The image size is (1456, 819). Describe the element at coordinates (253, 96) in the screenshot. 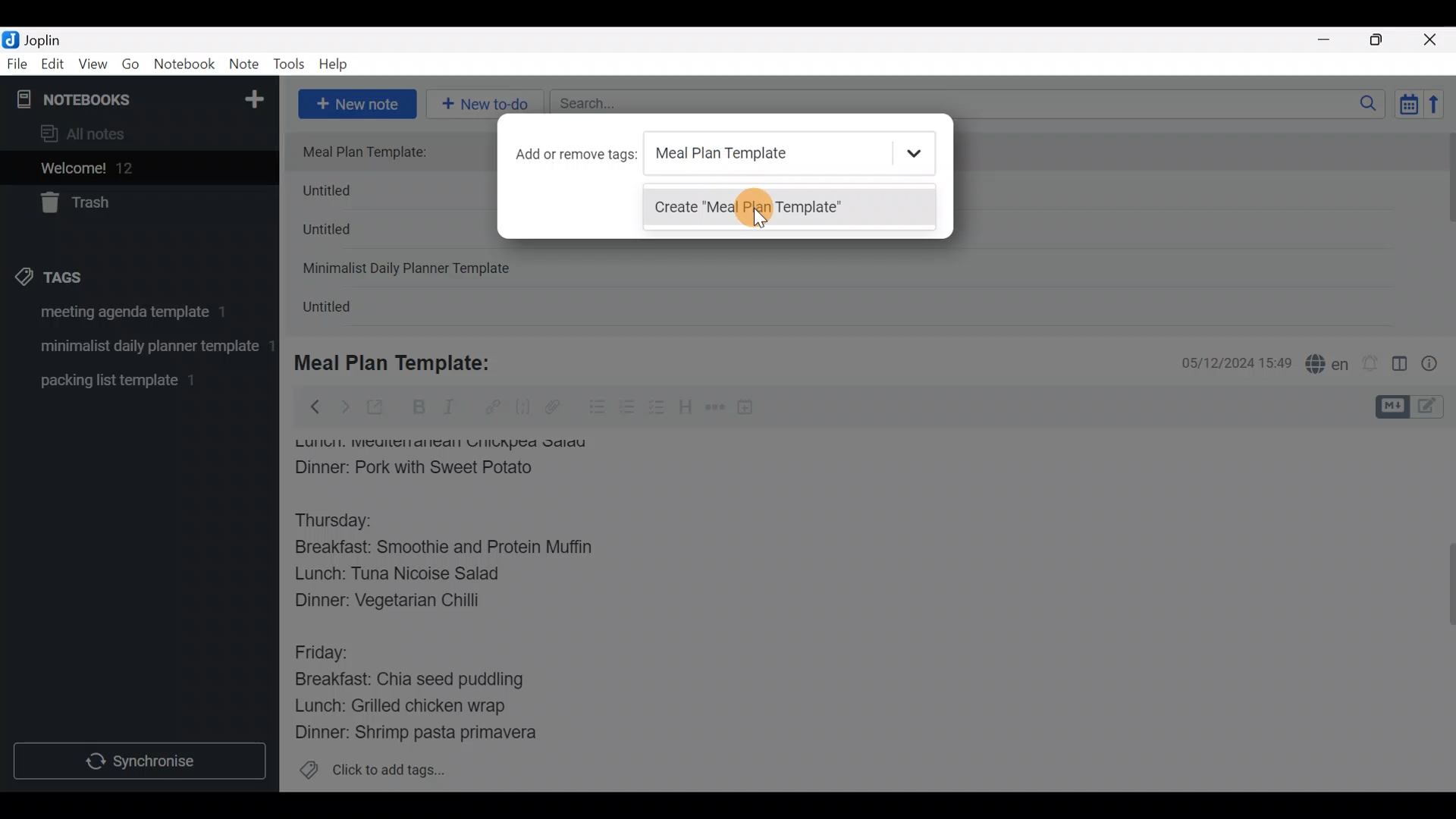

I see `New` at that location.